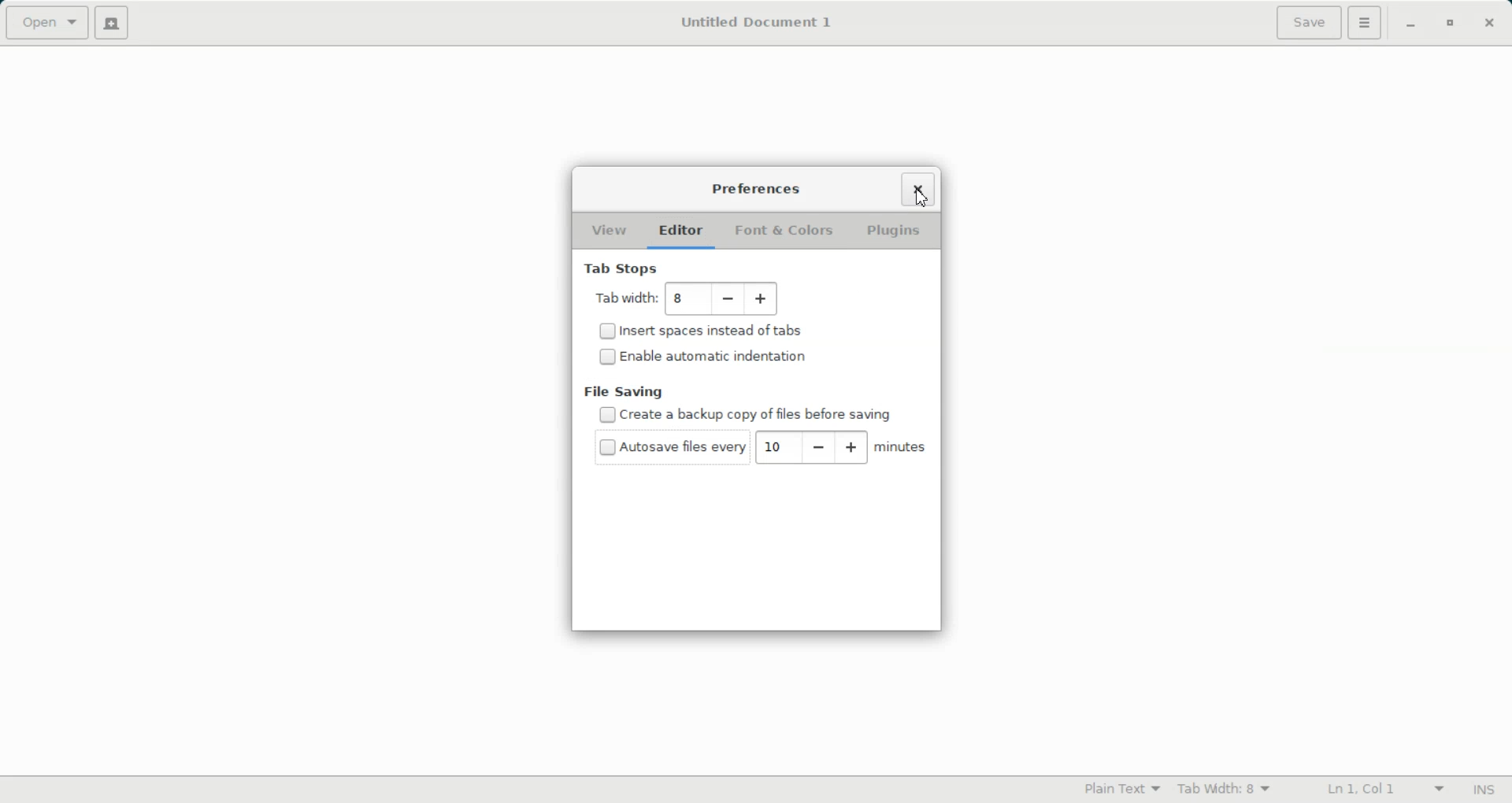 The height and width of the screenshot is (803, 1512). I want to click on Insert, so click(1485, 790).